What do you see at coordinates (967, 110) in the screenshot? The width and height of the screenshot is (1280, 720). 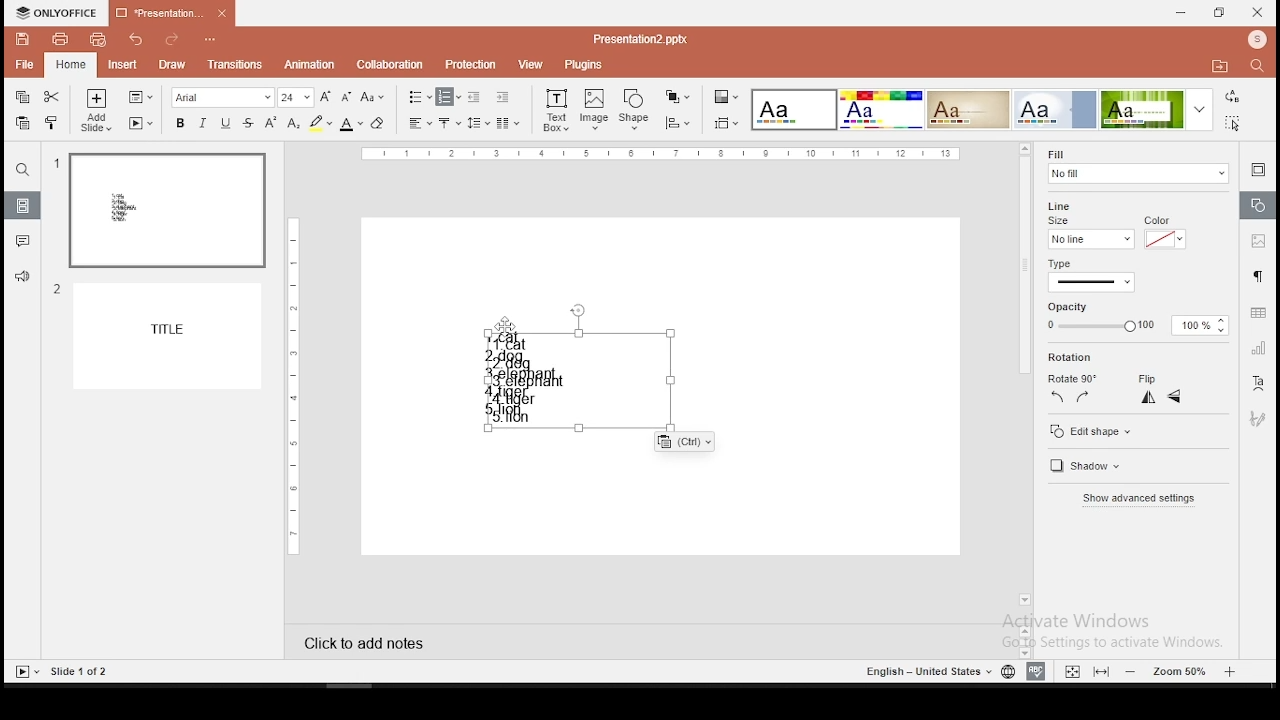 I see `theme` at bounding box center [967, 110].